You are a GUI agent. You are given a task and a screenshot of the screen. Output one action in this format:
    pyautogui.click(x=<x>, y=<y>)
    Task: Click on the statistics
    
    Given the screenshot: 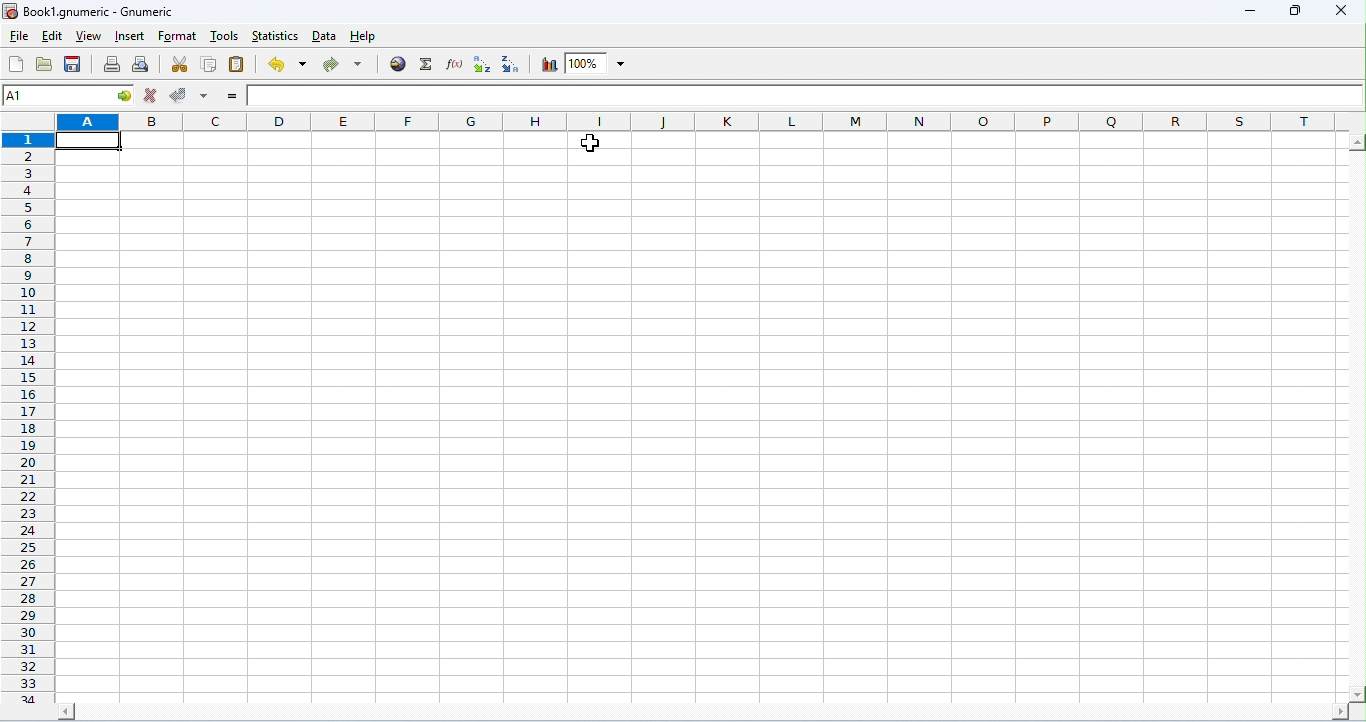 What is the action you would take?
    pyautogui.click(x=275, y=36)
    